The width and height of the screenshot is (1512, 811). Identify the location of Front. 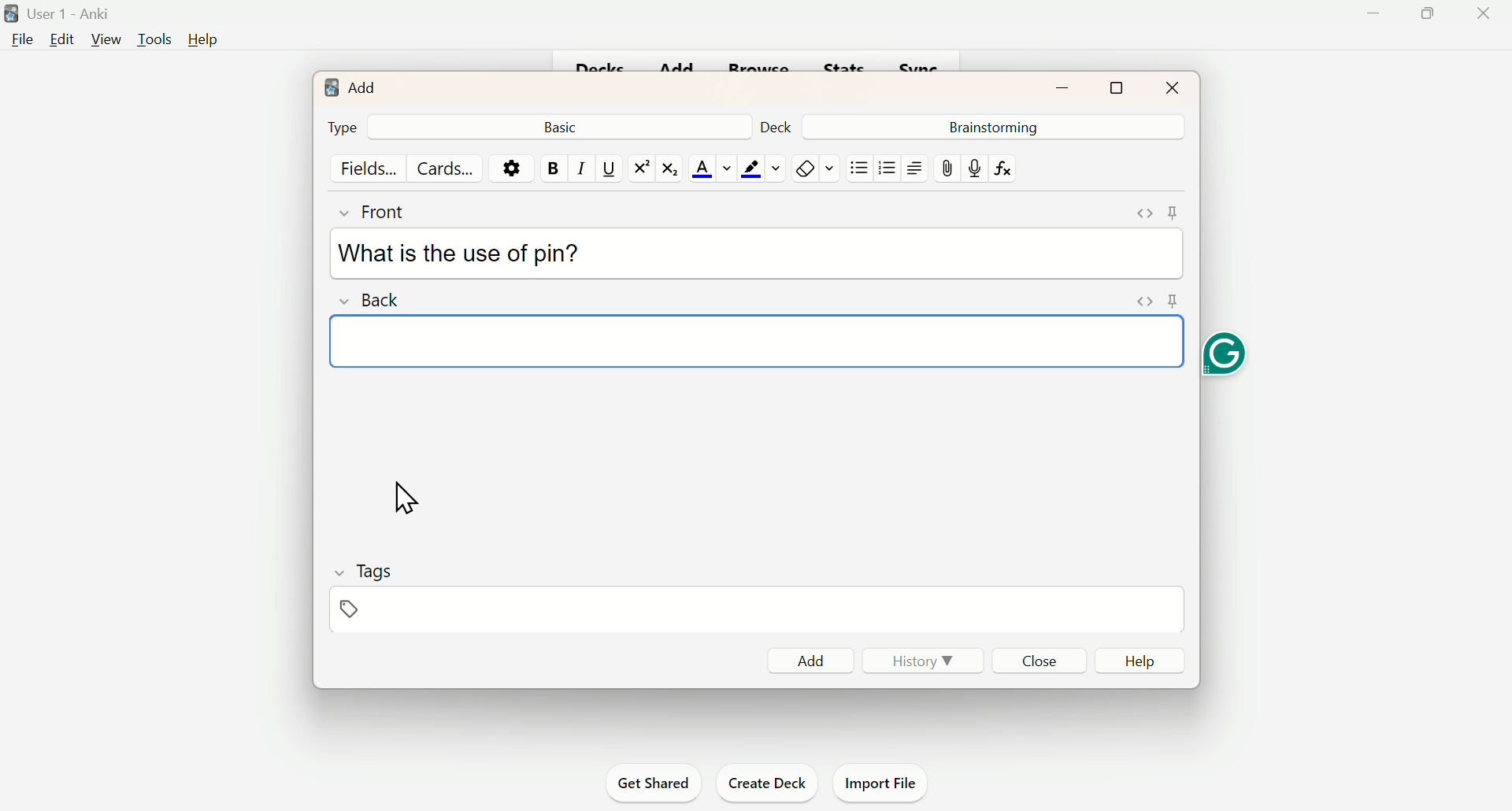
(388, 209).